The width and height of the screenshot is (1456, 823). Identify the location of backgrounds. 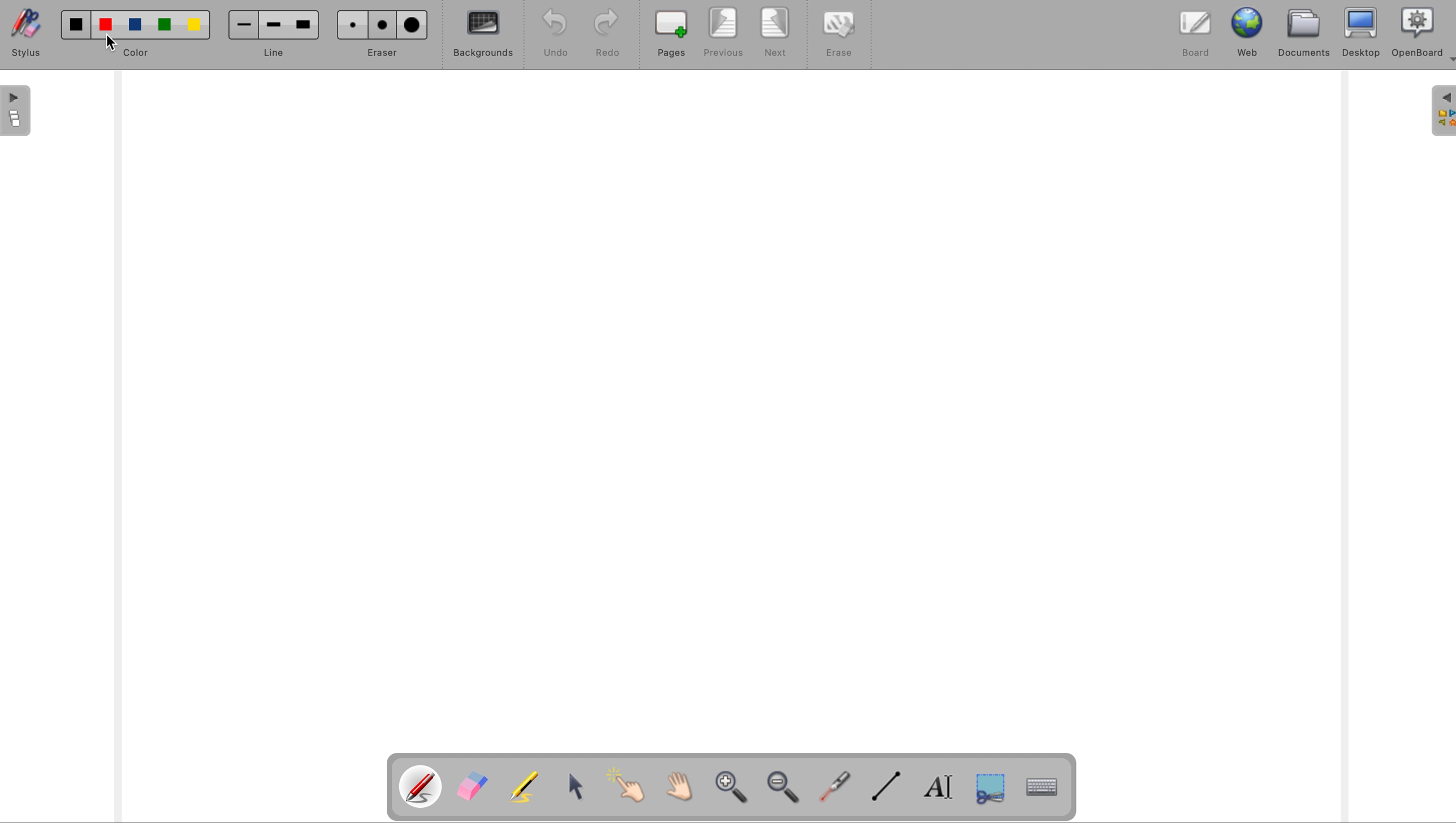
(483, 37).